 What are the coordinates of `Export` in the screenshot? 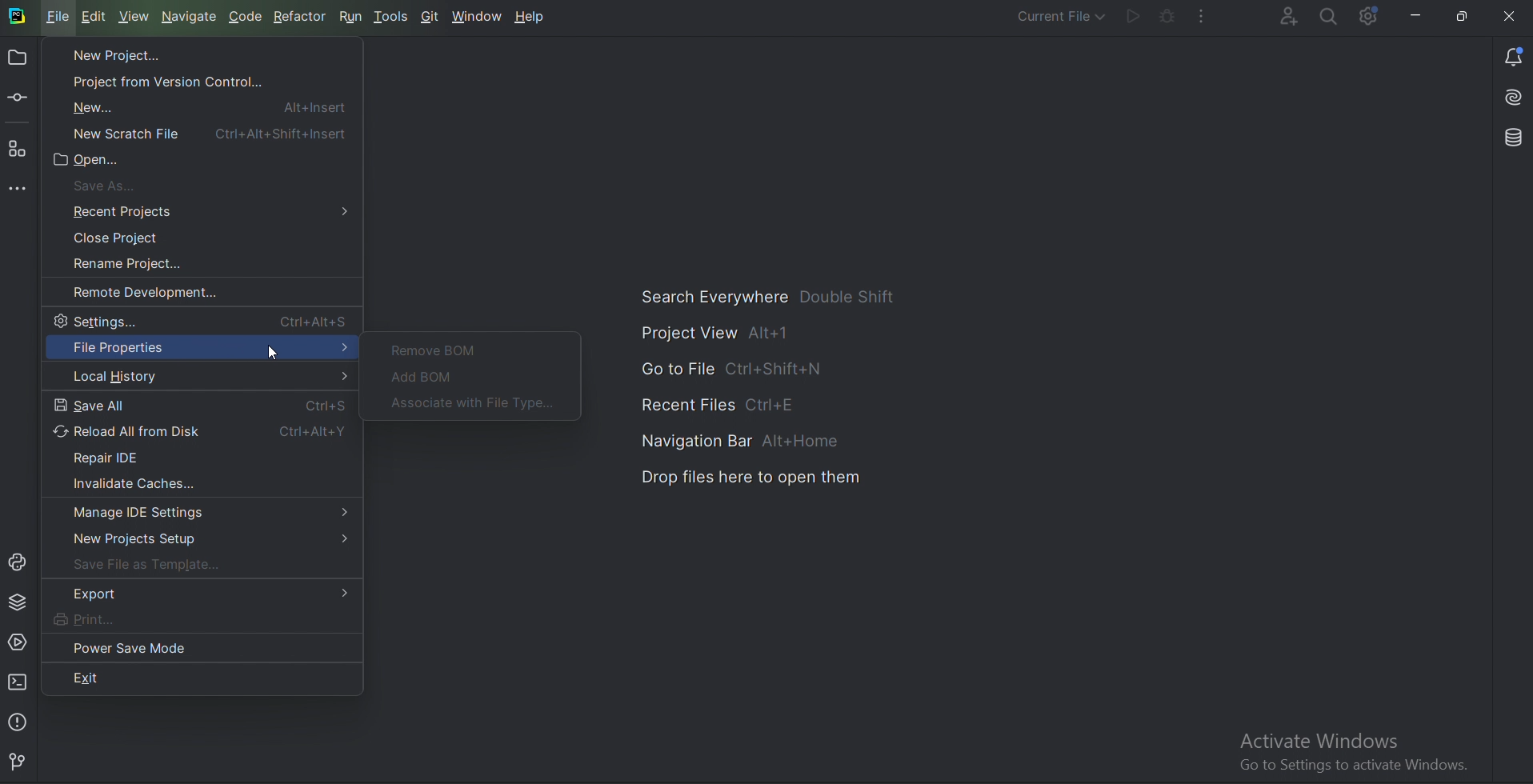 It's located at (207, 593).